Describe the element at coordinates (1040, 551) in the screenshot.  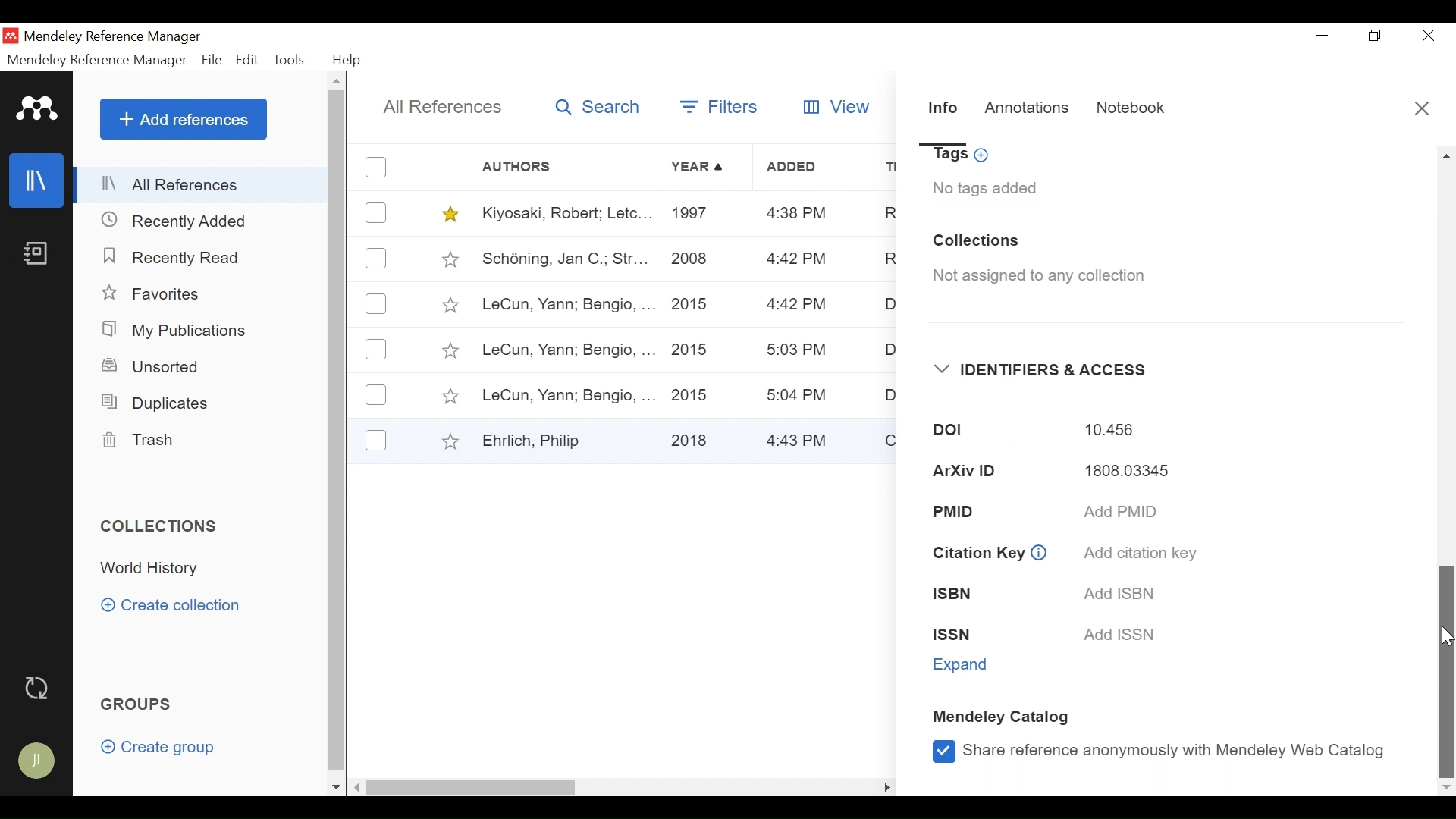
I see `Information` at that location.